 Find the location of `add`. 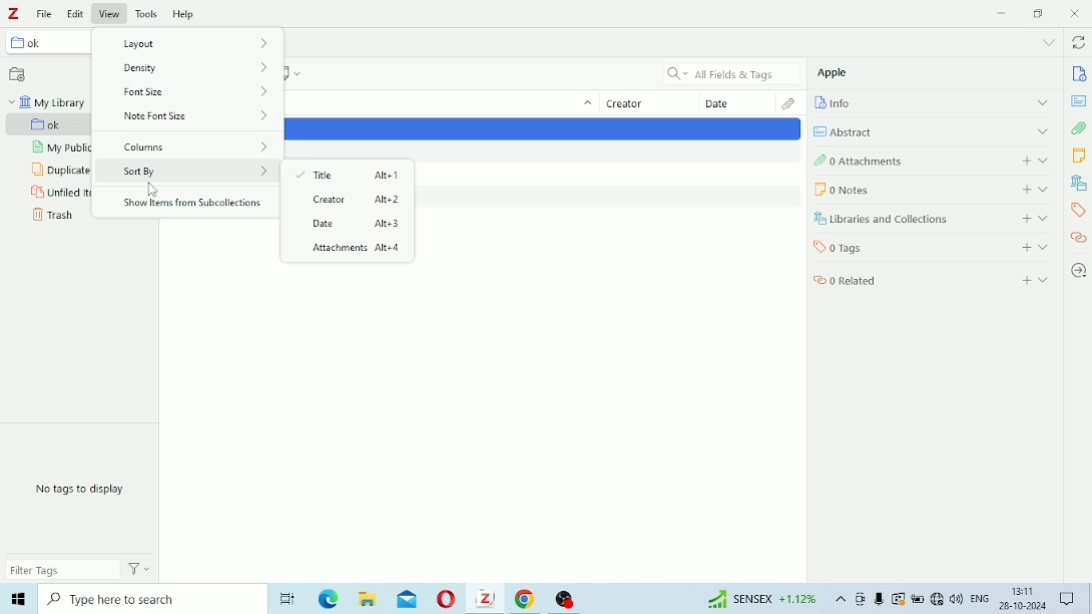

add is located at coordinates (1024, 247).